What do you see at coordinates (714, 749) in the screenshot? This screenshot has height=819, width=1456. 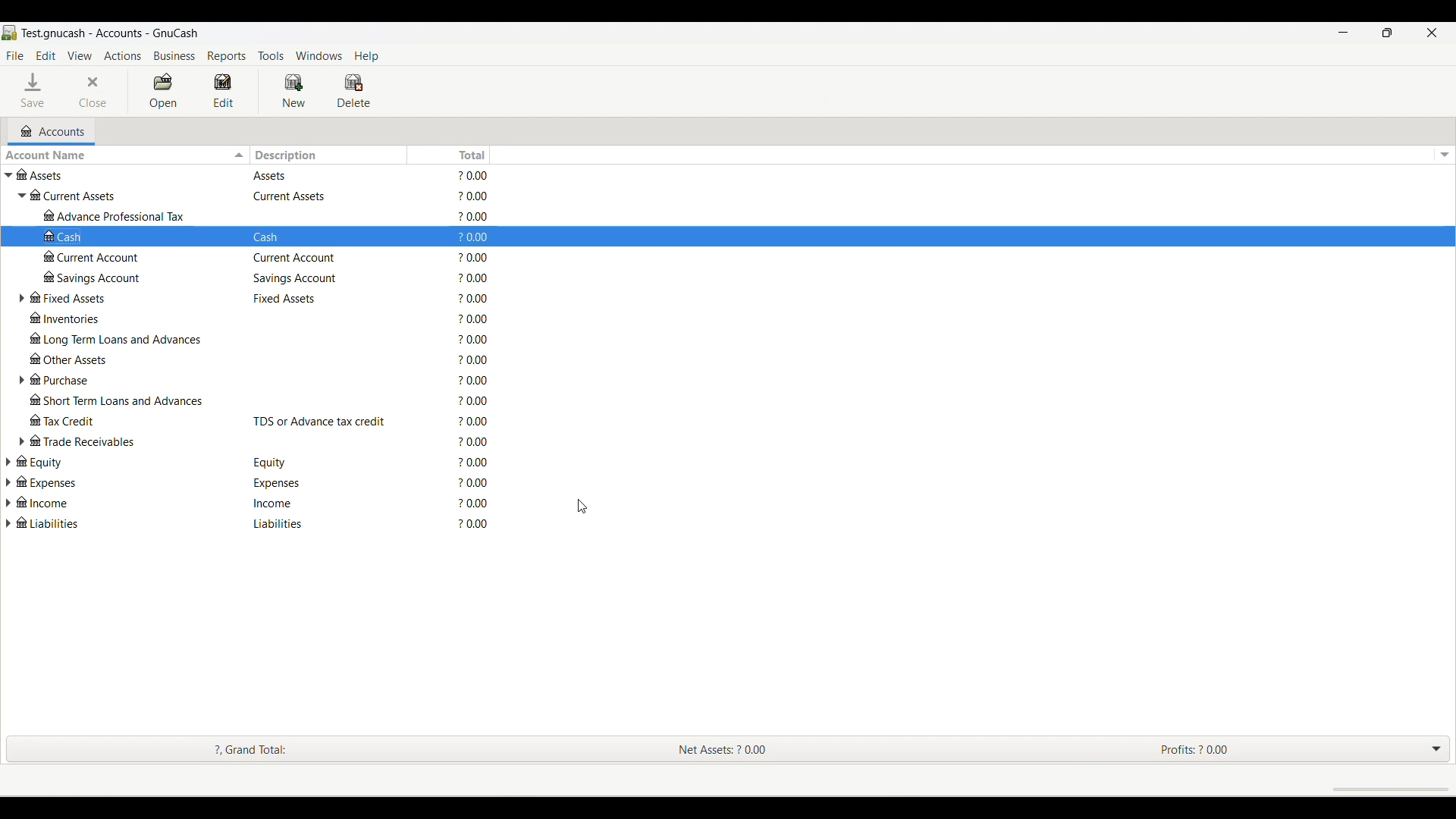 I see `Net Assets: ? 0.00` at bounding box center [714, 749].